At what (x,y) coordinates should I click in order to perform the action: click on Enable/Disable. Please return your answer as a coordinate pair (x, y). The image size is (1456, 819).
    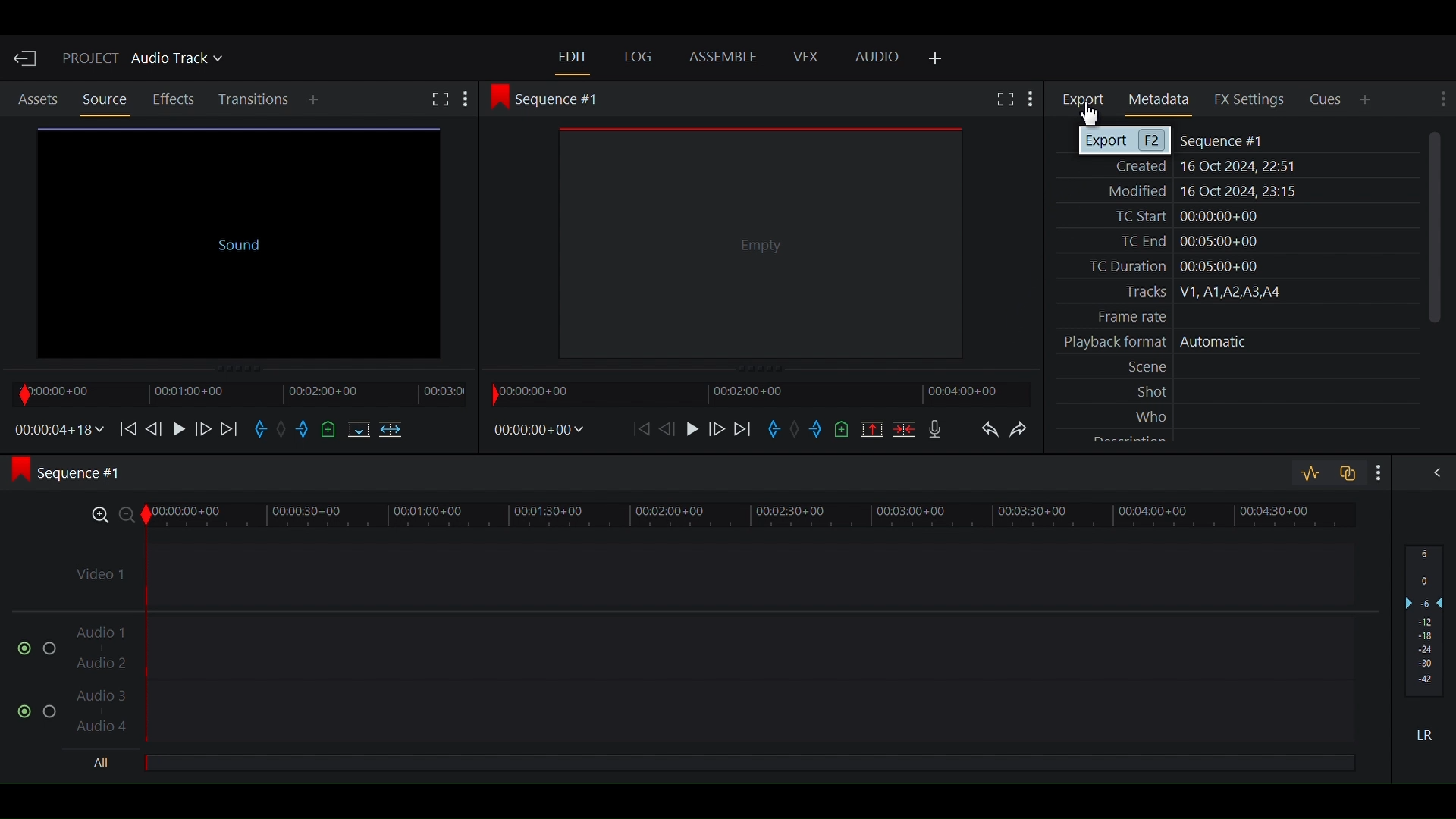
    Looking at the image, I should click on (38, 708).